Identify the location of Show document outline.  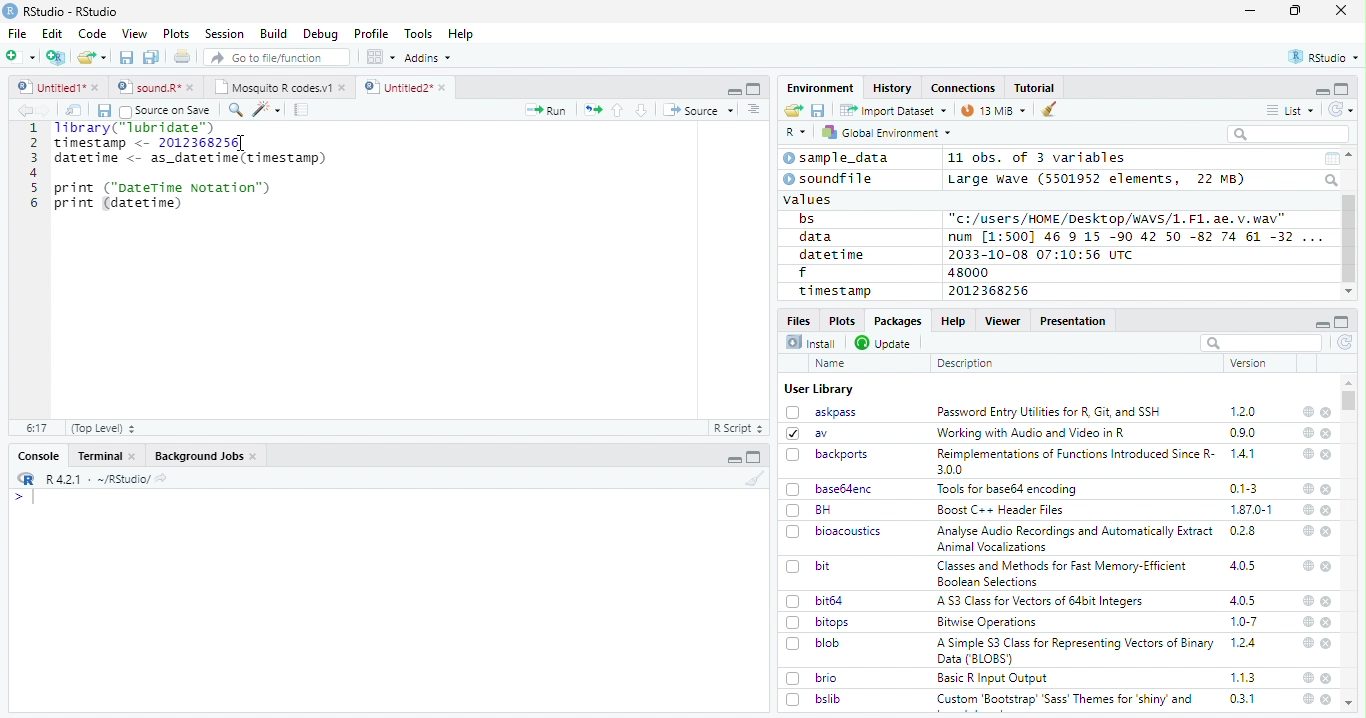
(752, 109).